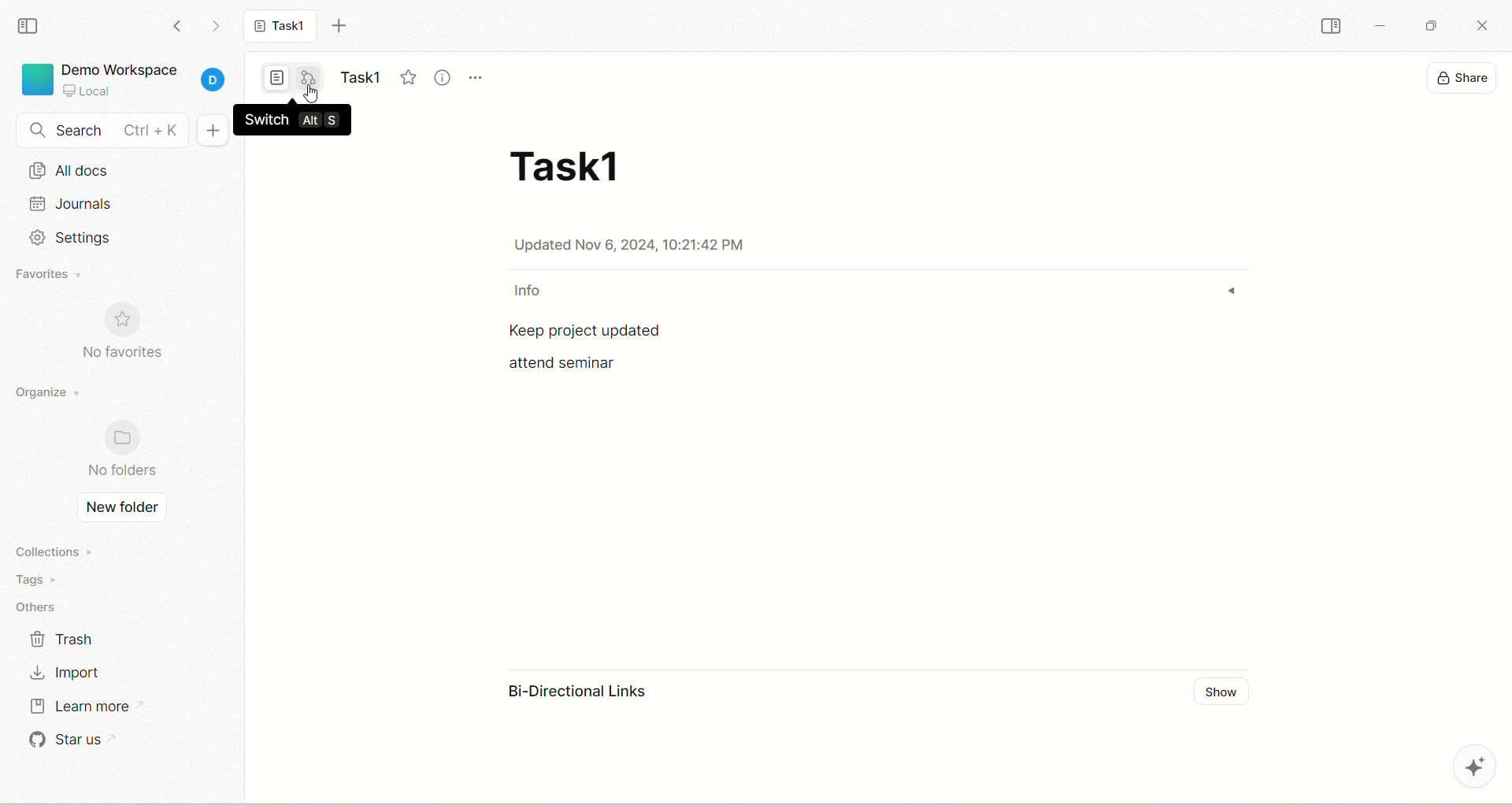  I want to click on date & time - Updated Nov 6, 2024, 10:21:42 PM, so click(606, 238).